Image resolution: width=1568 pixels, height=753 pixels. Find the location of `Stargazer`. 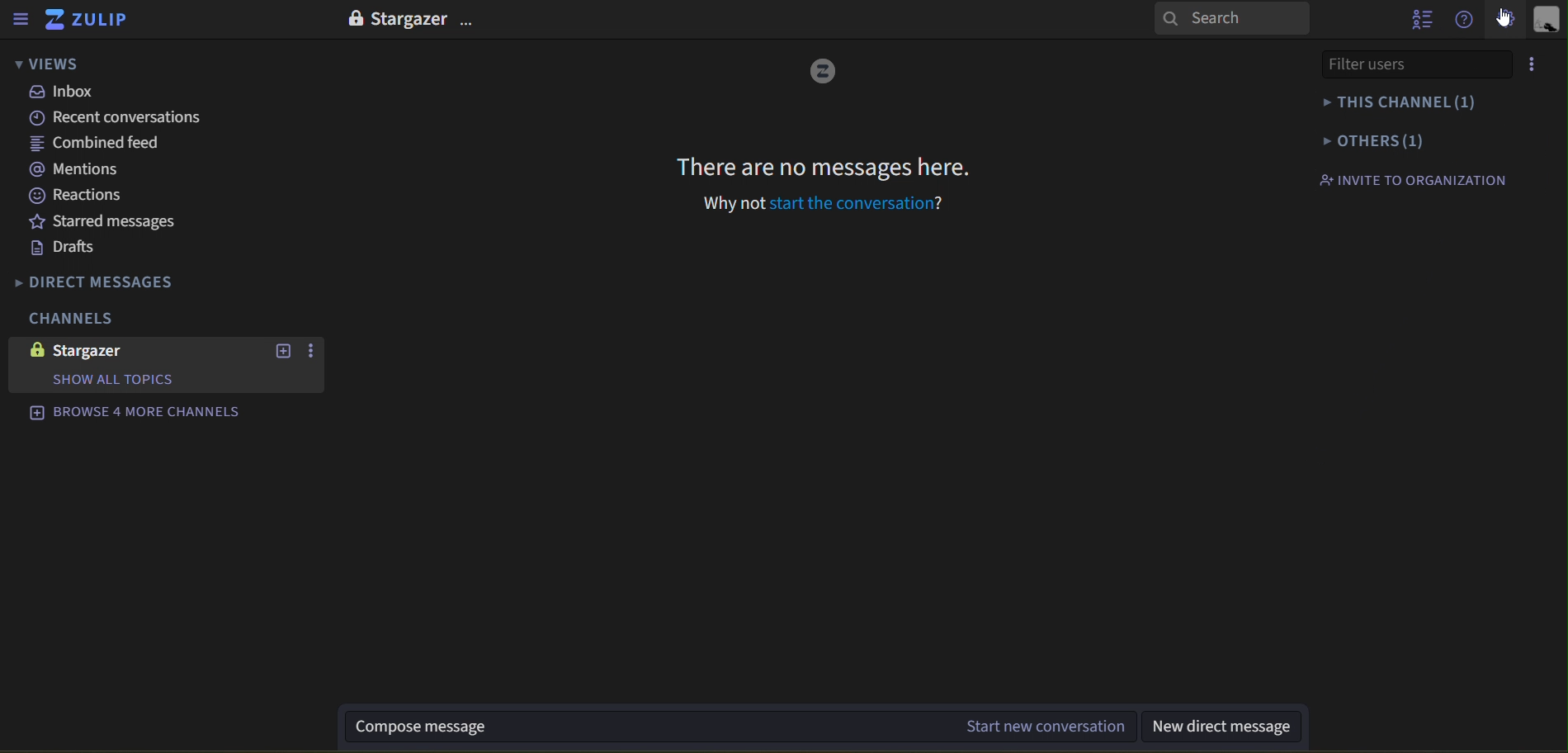

Stargazer is located at coordinates (414, 20).